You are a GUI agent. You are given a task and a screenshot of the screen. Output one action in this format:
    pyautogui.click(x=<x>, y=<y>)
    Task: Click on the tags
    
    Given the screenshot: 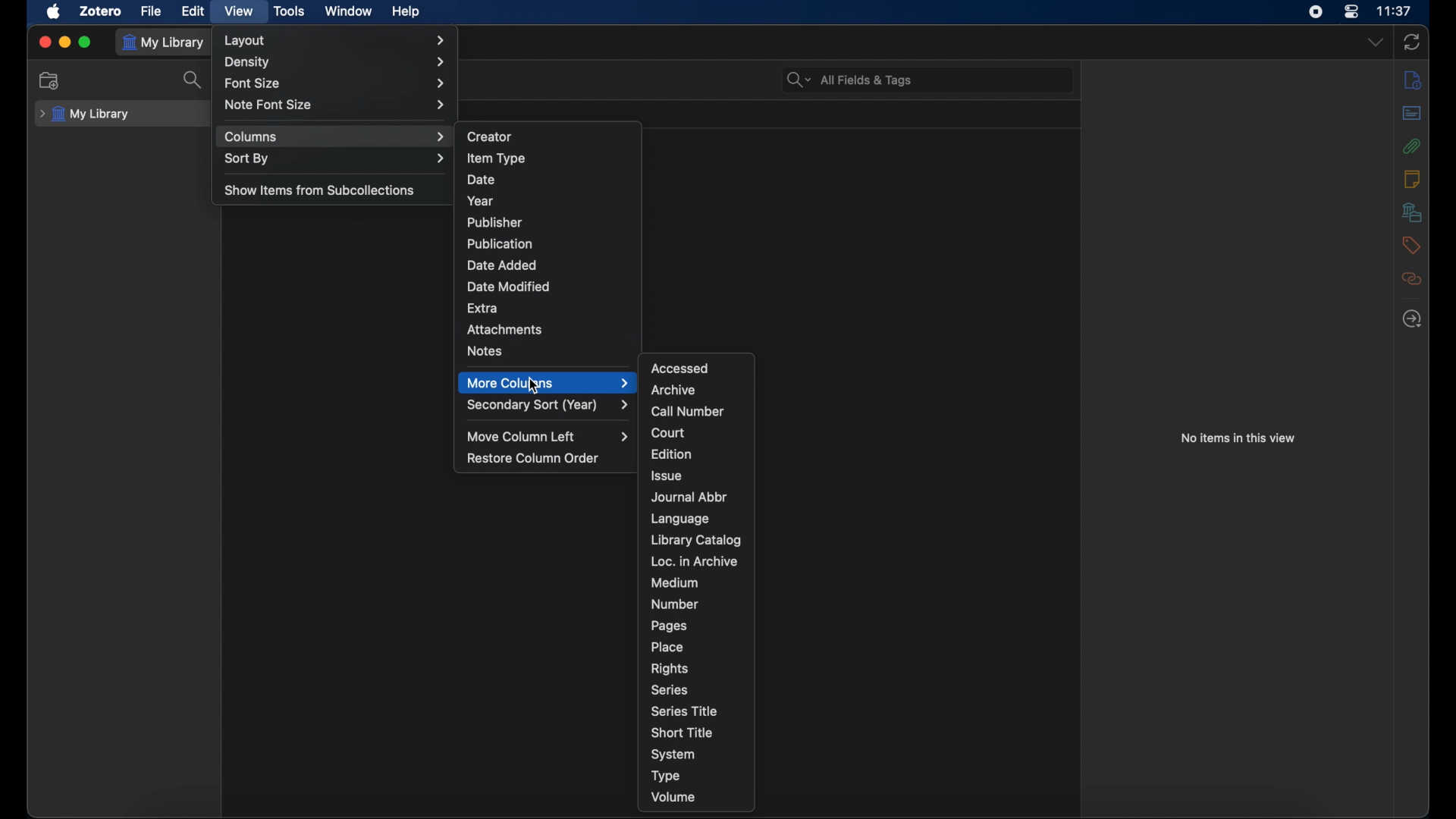 What is the action you would take?
    pyautogui.click(x=1411, y=245)
    